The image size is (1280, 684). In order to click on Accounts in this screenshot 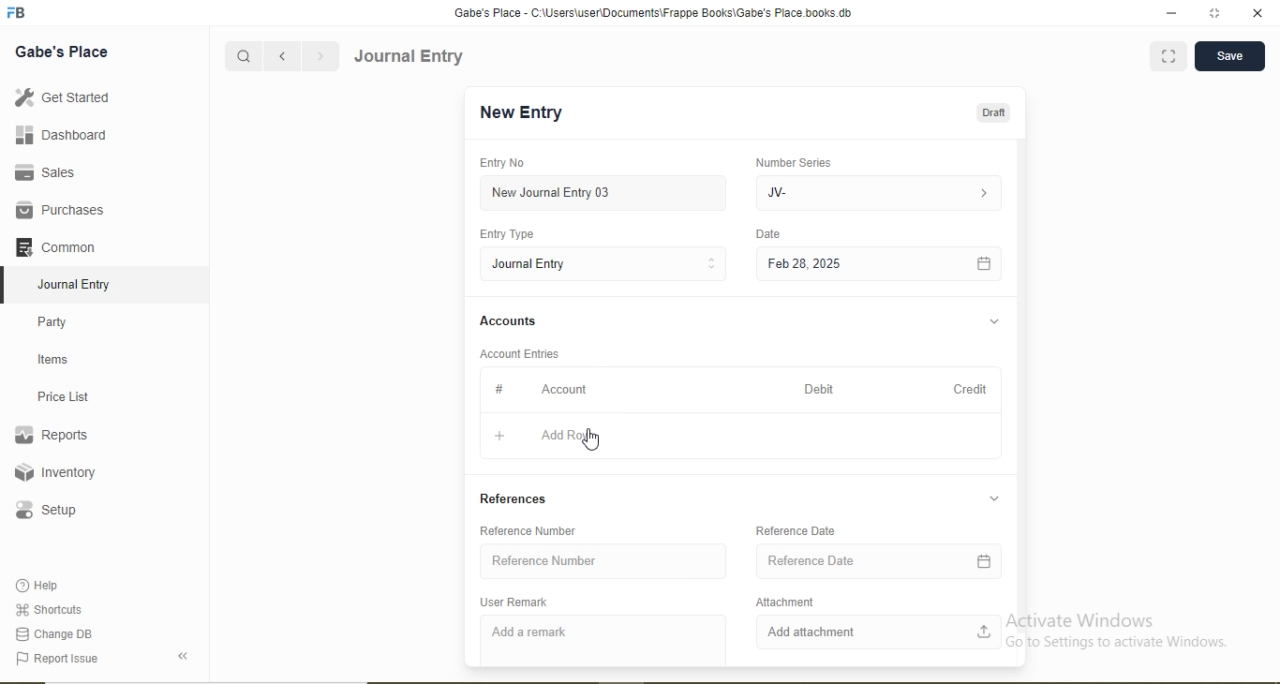, I will do `click(508, 320)`.